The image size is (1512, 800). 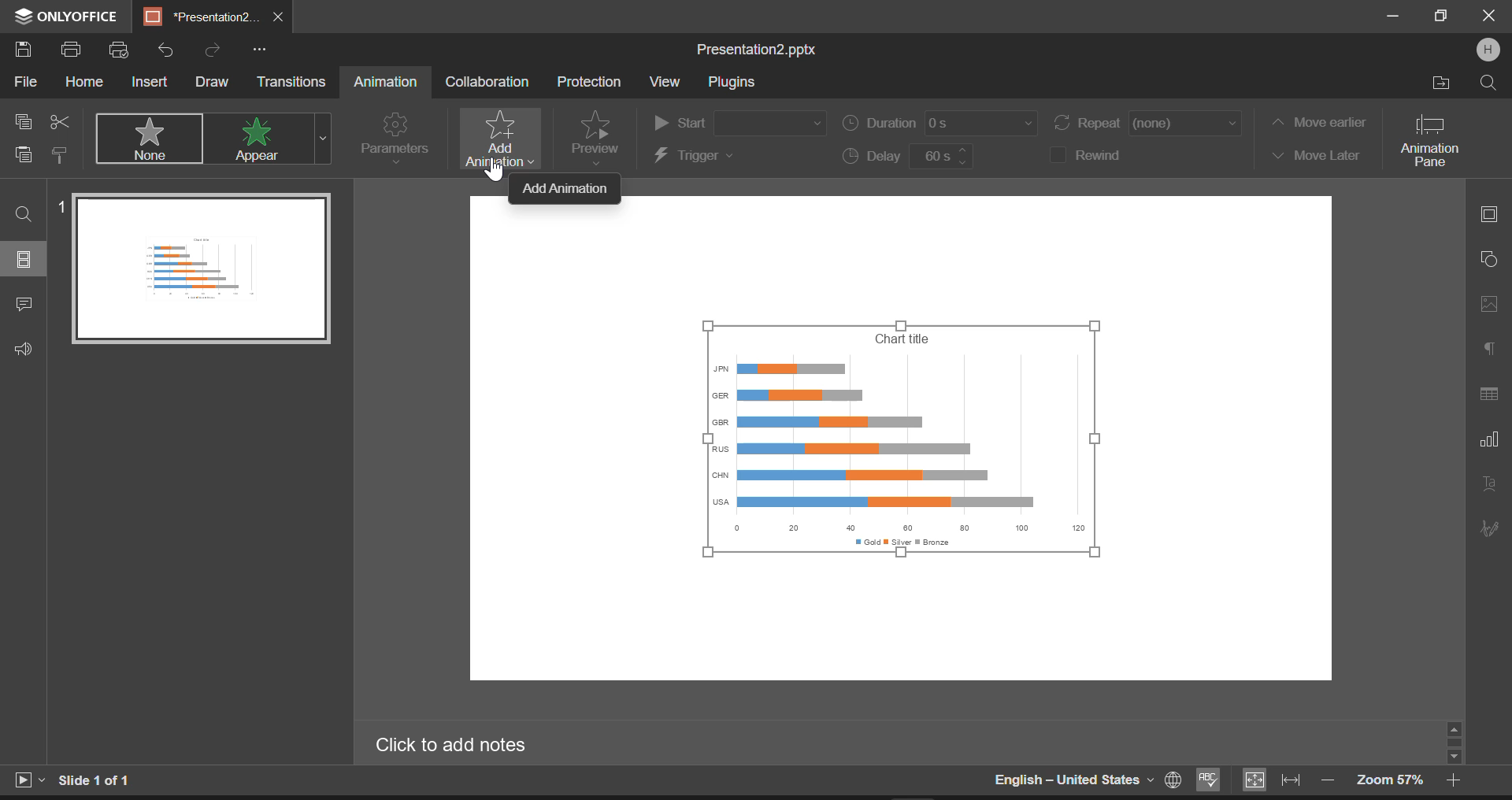 What do you see at coordinates (592, 81) in the screenshot?
I see `Protection` at bounding box center [592, 81].